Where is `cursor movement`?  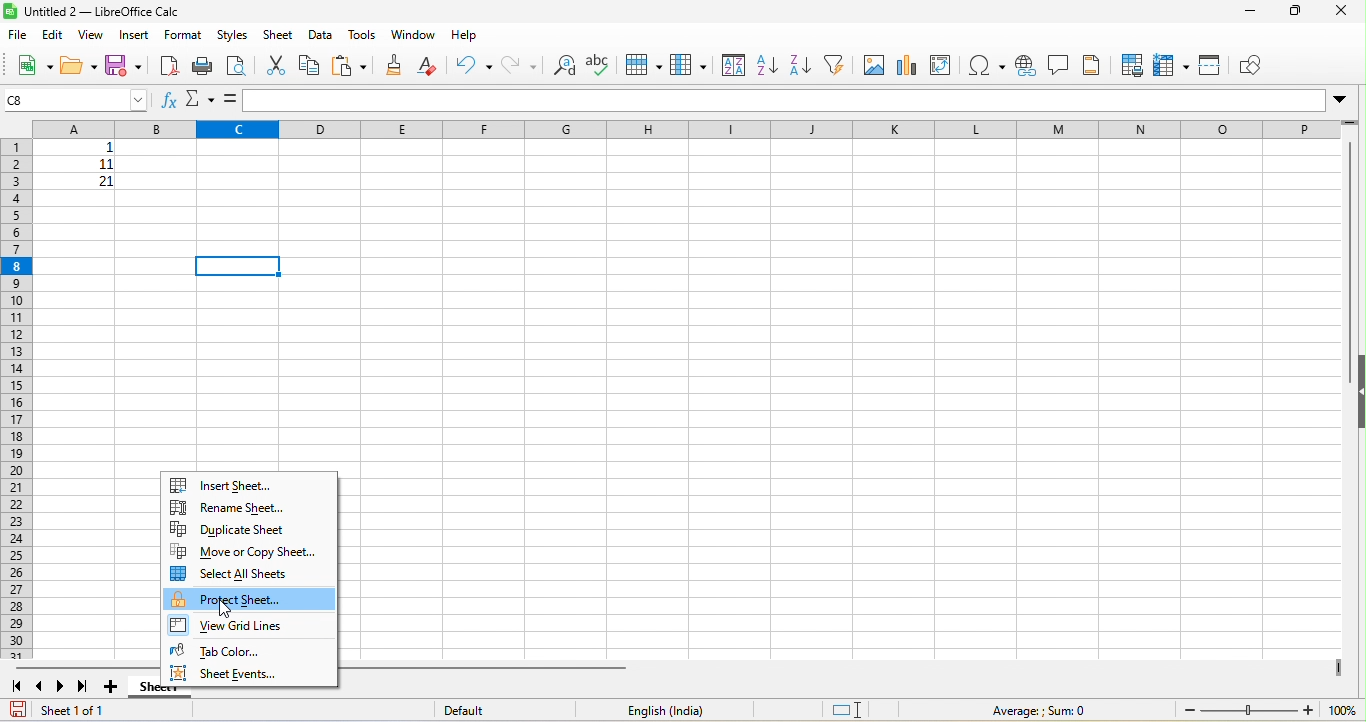
cursor movement is located at coordinates (225, 607).